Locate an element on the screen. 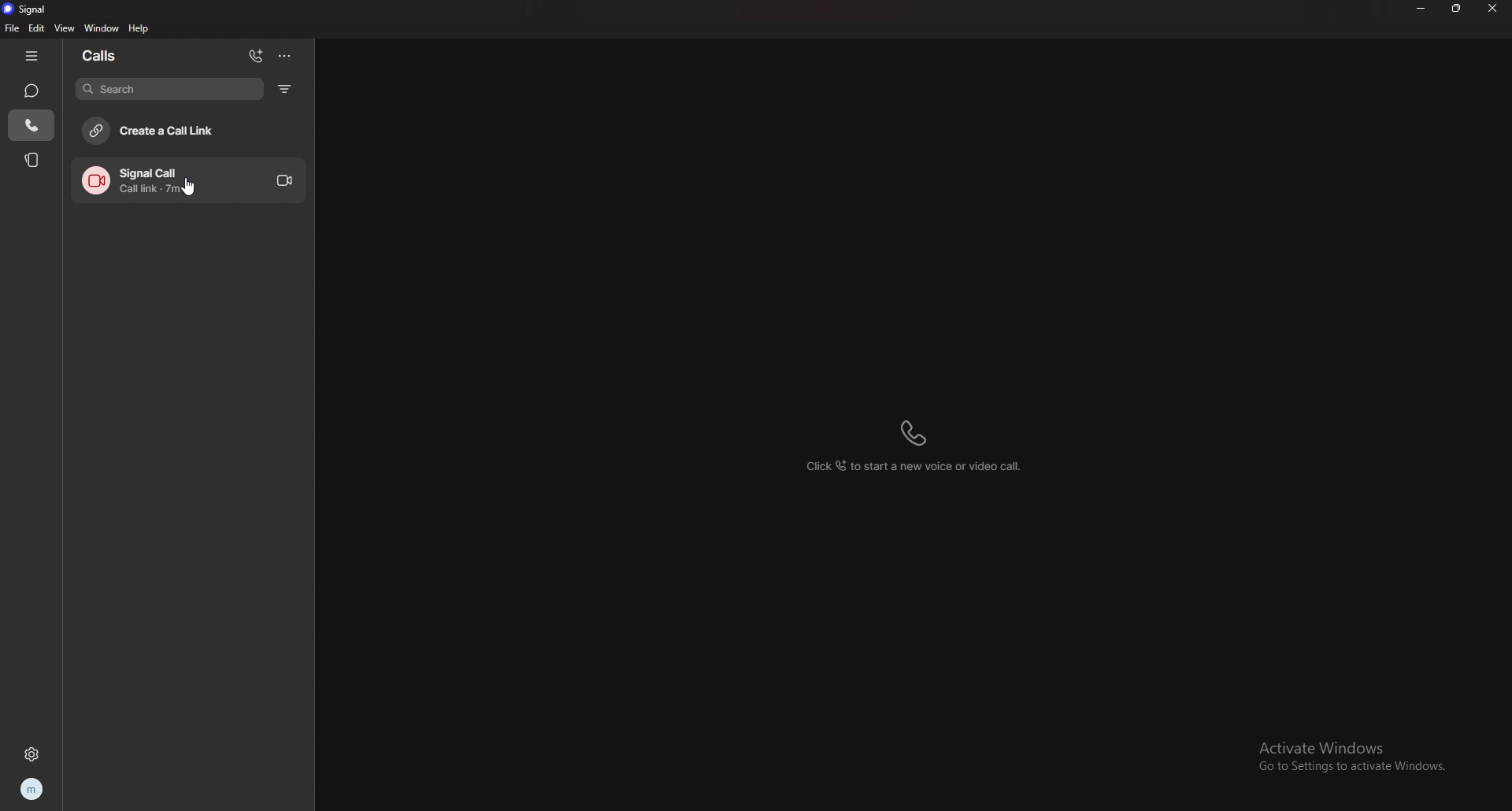  settings is located at coordinates (31, 754).